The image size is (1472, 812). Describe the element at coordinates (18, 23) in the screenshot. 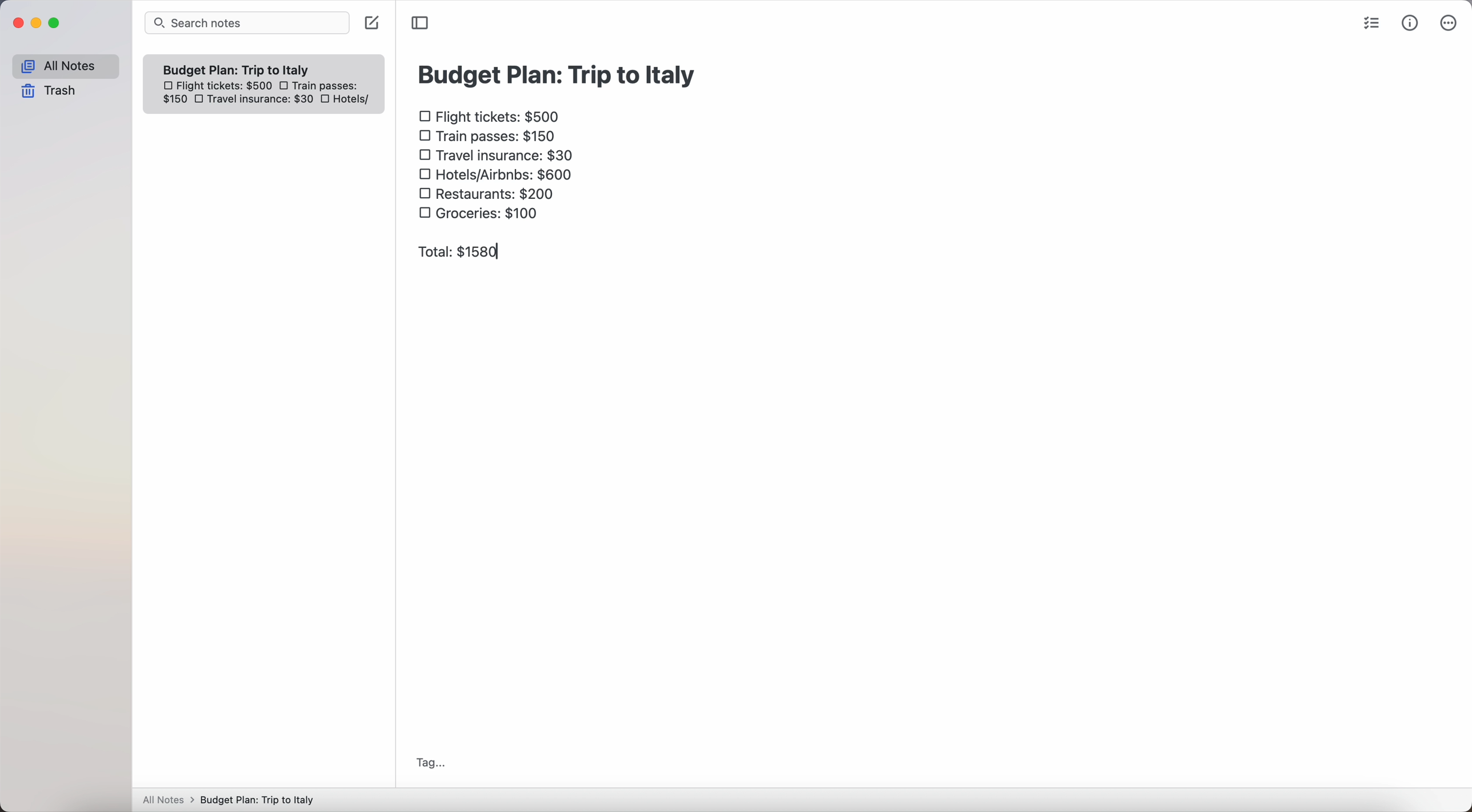

I see `close Simplenote` at that location.